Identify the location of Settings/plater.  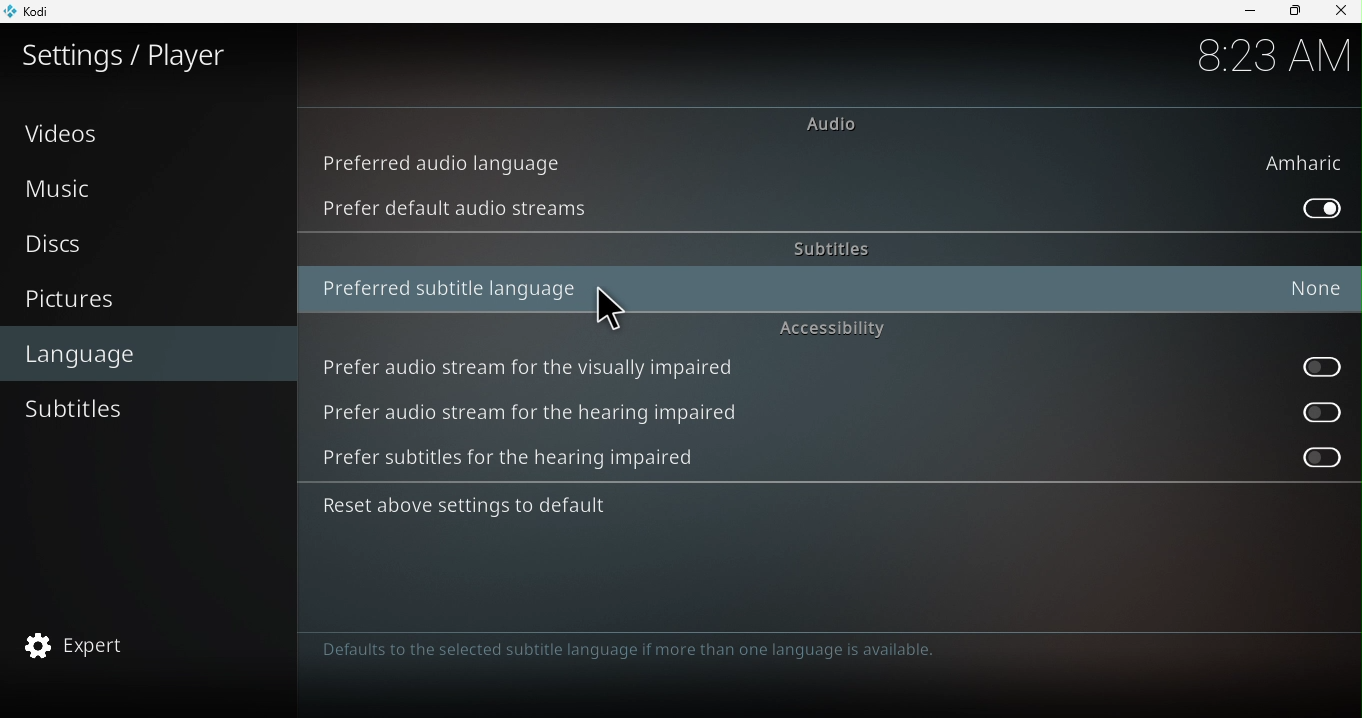
(127, 55).